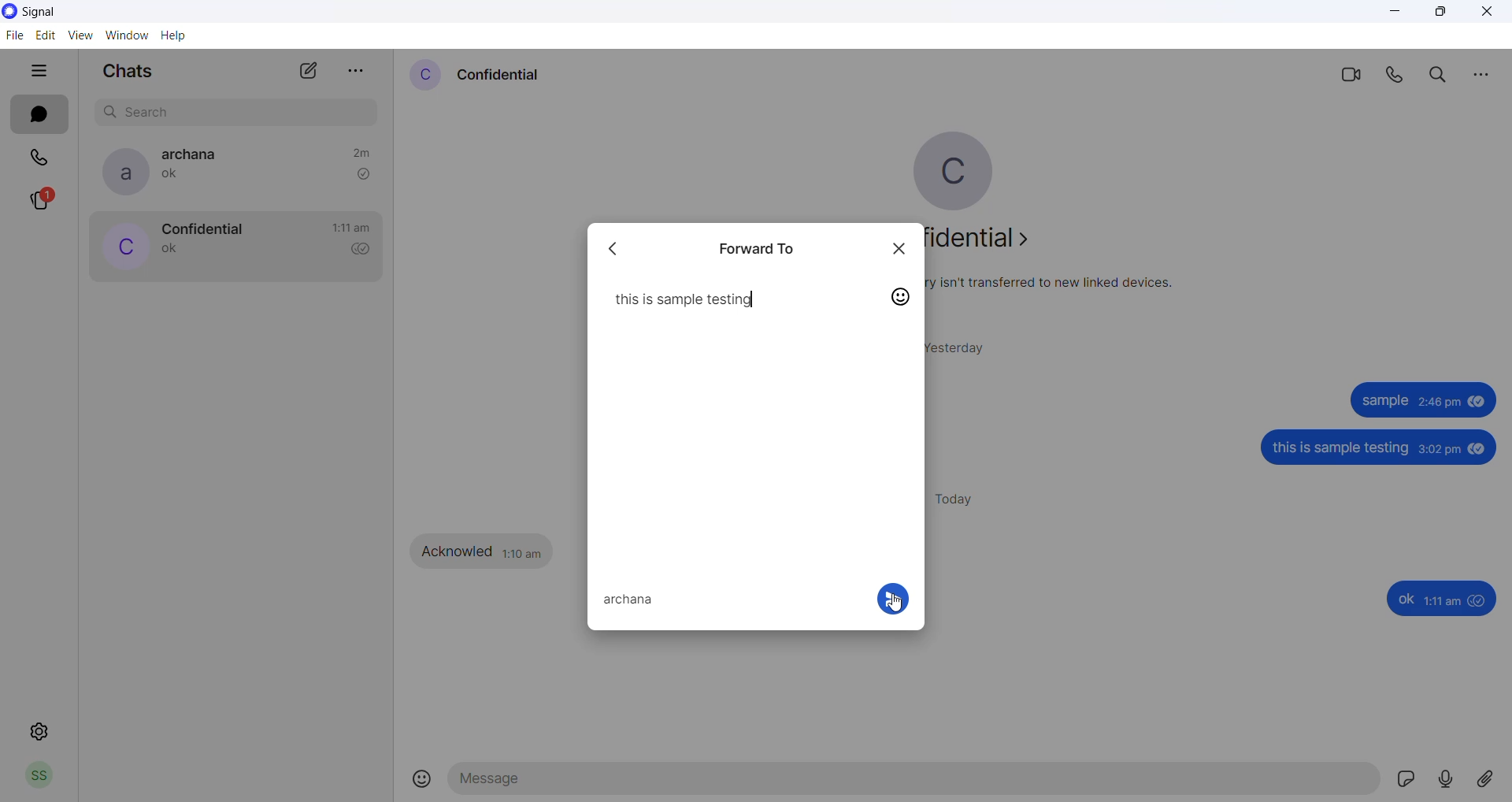 The height and width of the screenshot is (802, 1512). I want to click on about contact, so click(991, 242).